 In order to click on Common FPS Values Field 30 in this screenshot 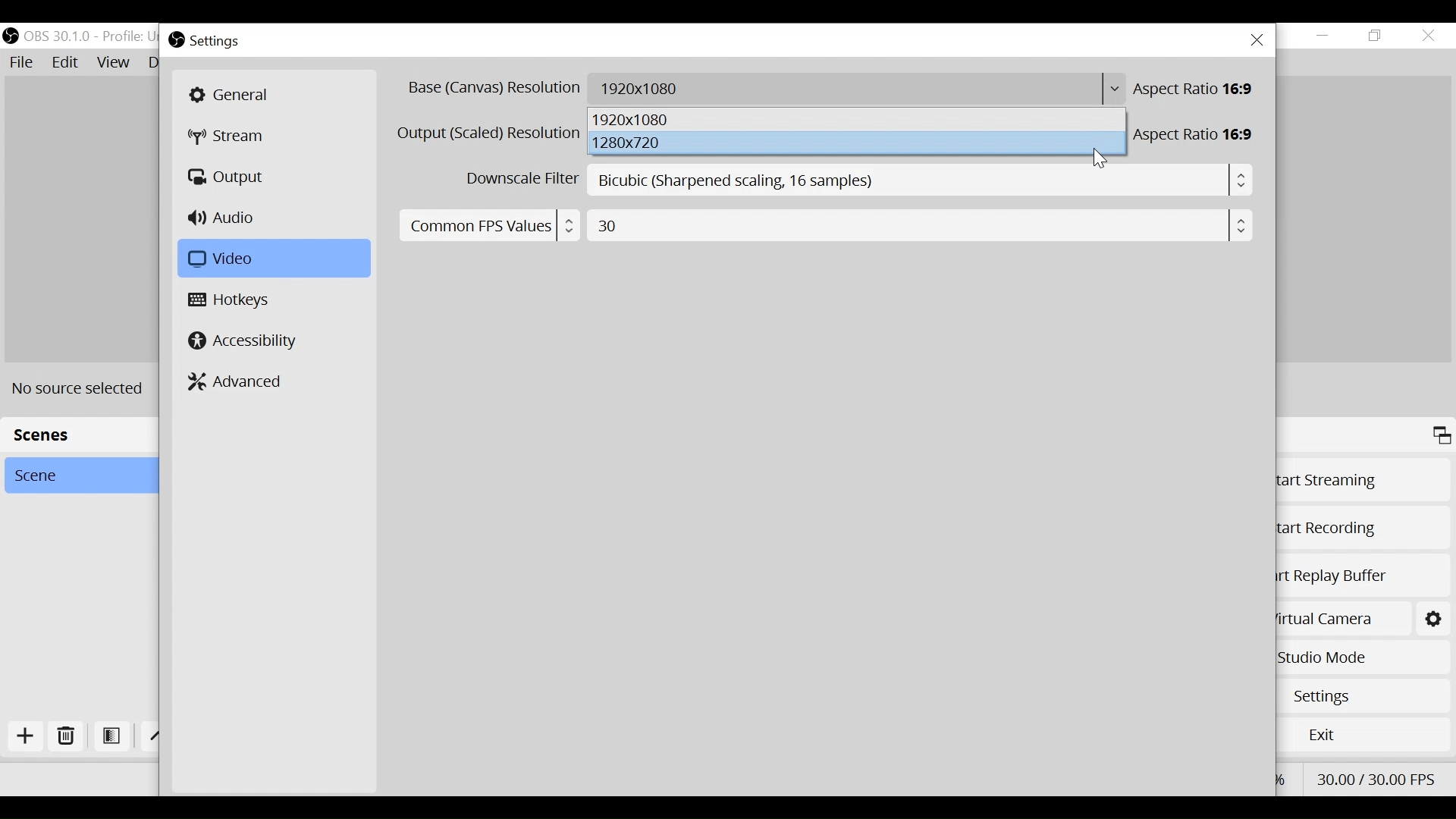, I will do `click(822, 224)`.